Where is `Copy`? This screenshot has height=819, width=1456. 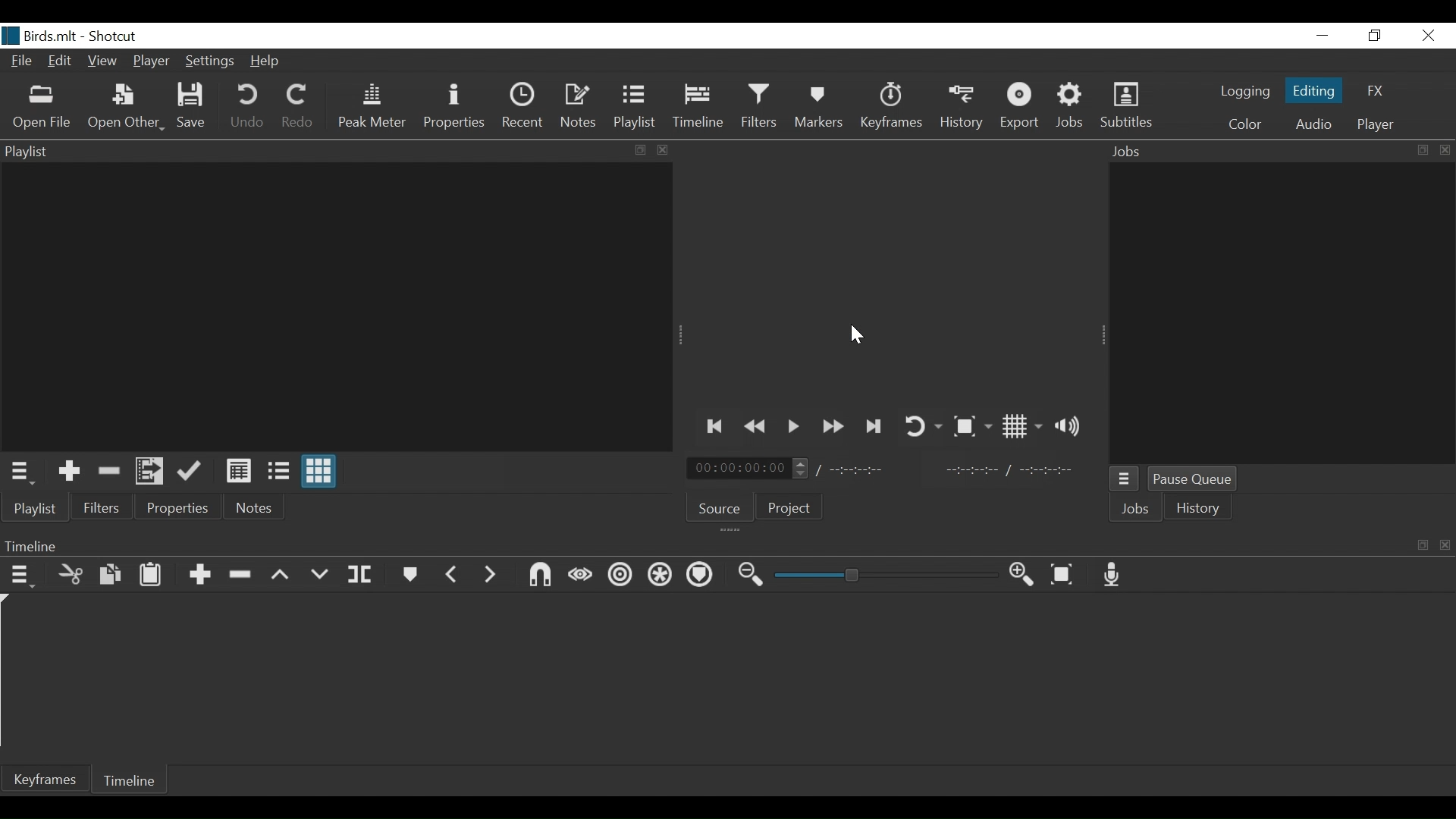 Copy is located at coordinates (111, 575).